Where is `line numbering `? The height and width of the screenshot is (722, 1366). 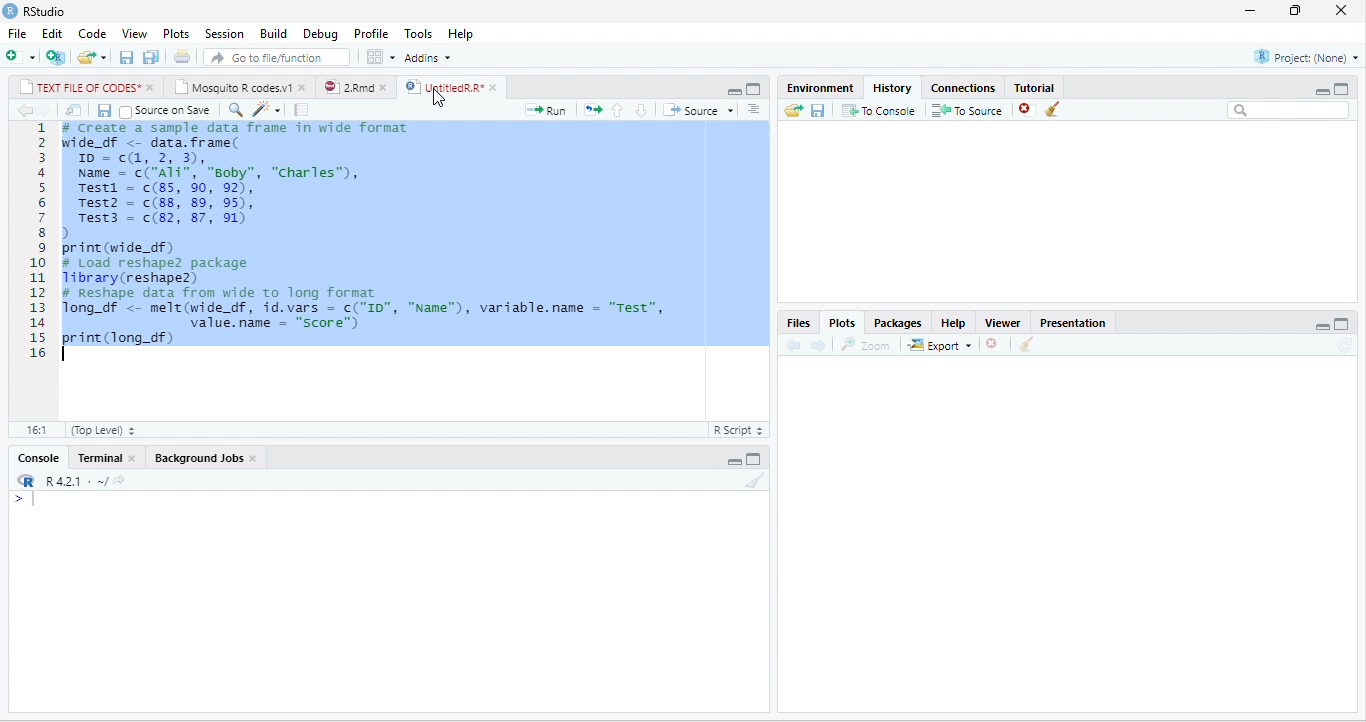
line numbering  is located at coordinates (38, 241).